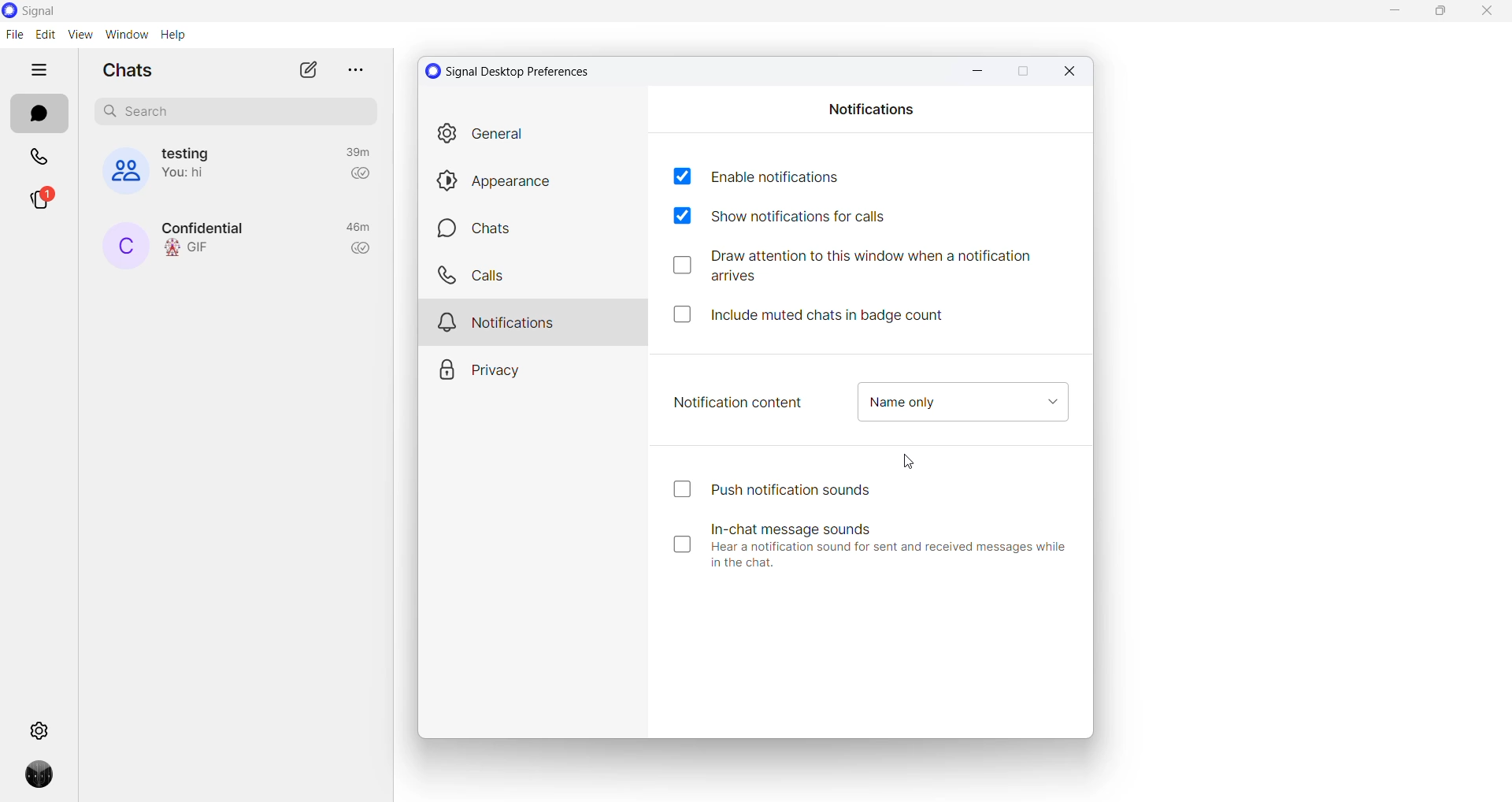 This screenshot has width=1512, height=802. Describe the element at coordinates (352, 69) in the screenshot. I see `more options` at that location.